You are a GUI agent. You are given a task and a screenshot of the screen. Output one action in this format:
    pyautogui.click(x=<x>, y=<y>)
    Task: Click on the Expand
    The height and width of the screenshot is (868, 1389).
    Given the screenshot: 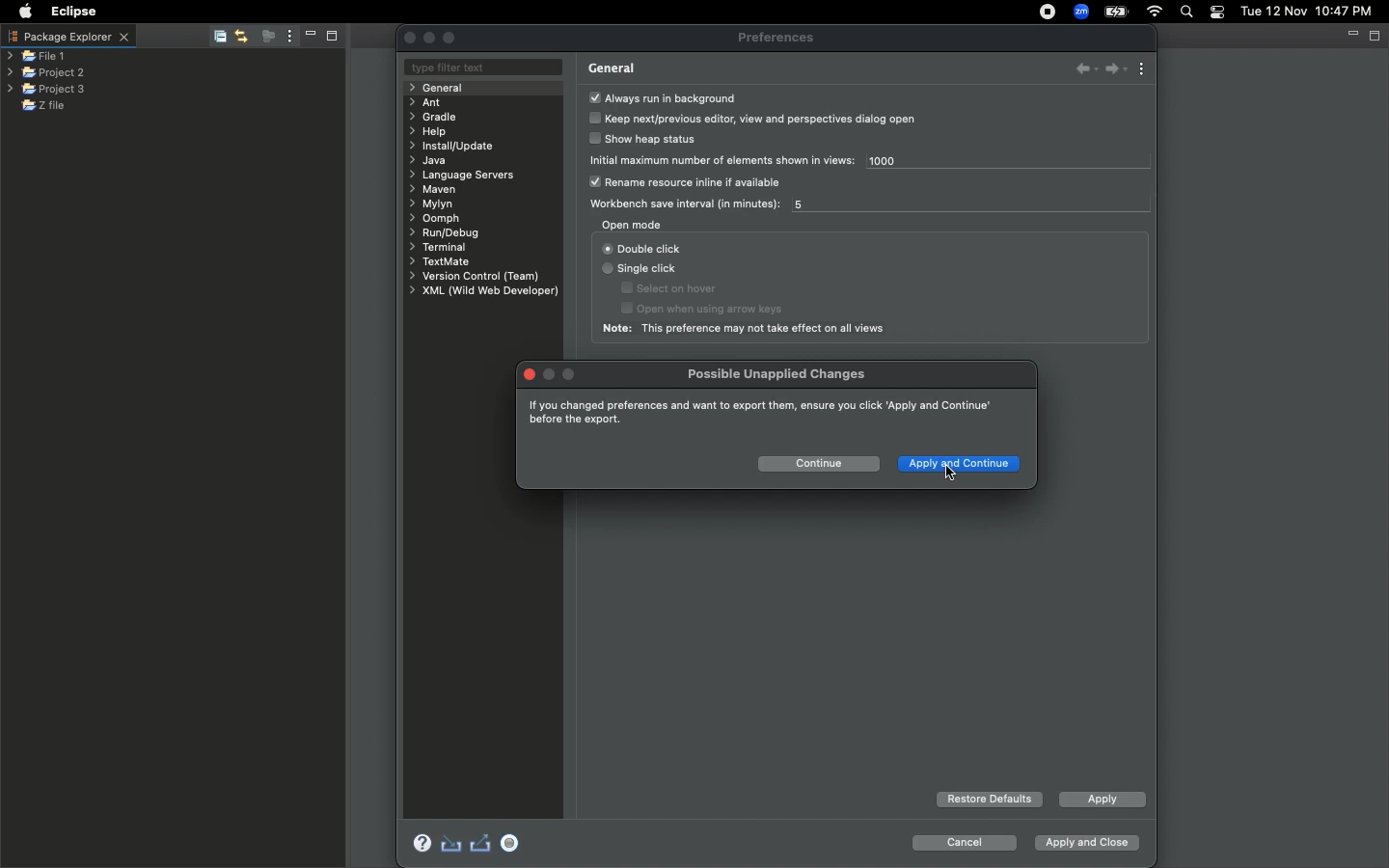 What is the action you would take?
    pyautogui.click(x=449, y=39)
    